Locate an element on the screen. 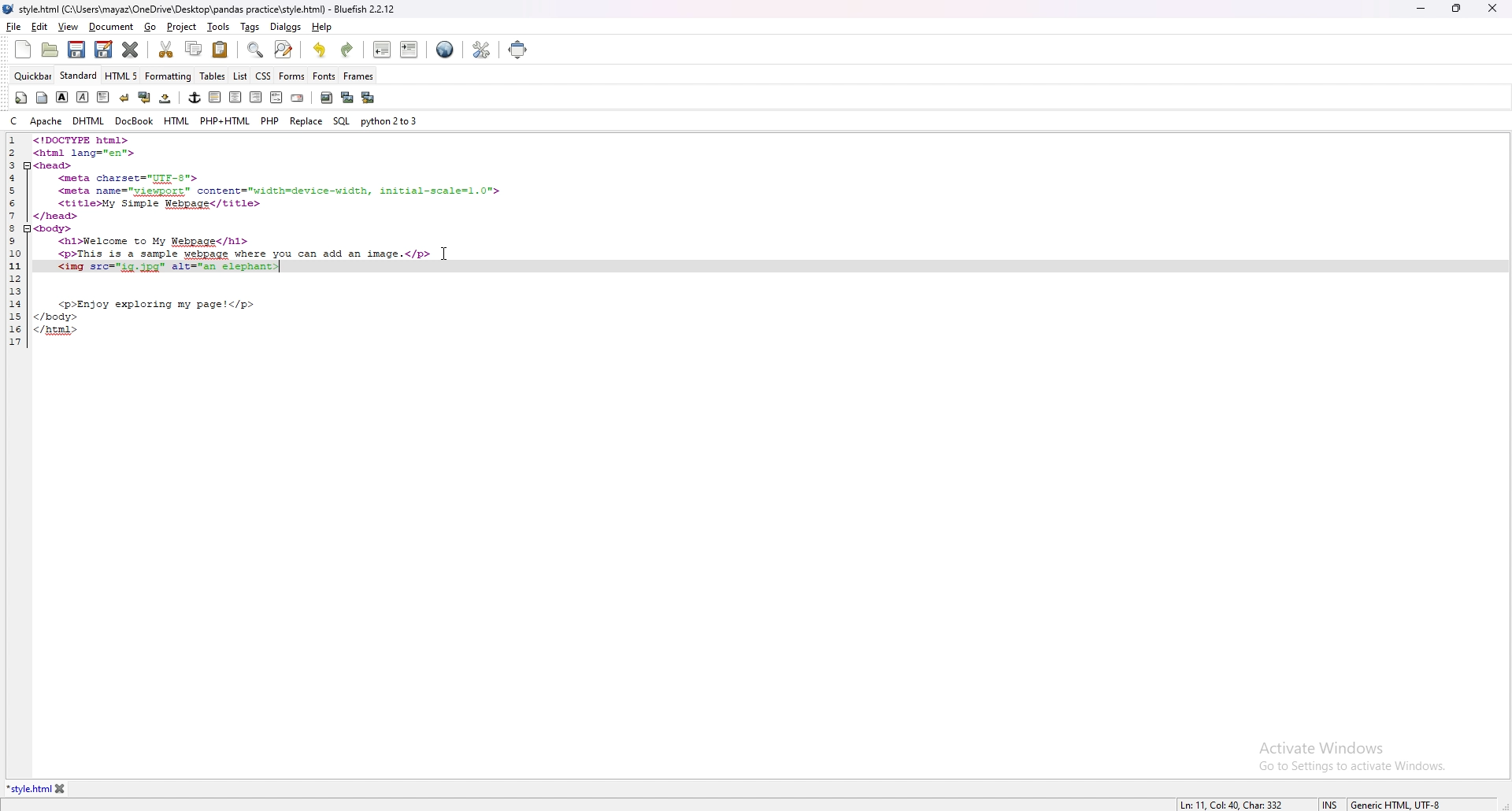  <p>Enjoy exploring my page!</p> is located at coordinates (158, 305).